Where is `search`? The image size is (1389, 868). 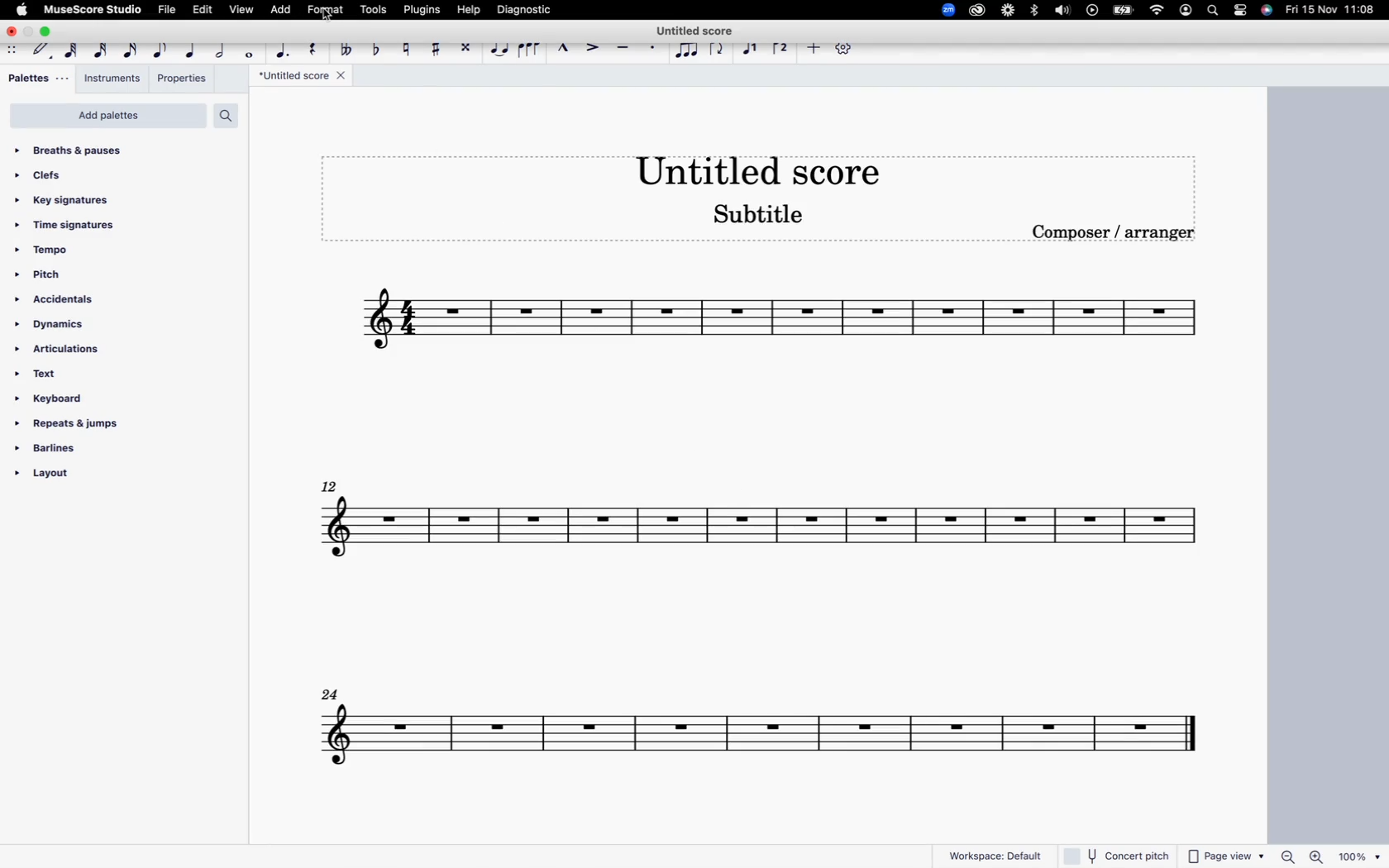
search is located at coordinates (227, 116).